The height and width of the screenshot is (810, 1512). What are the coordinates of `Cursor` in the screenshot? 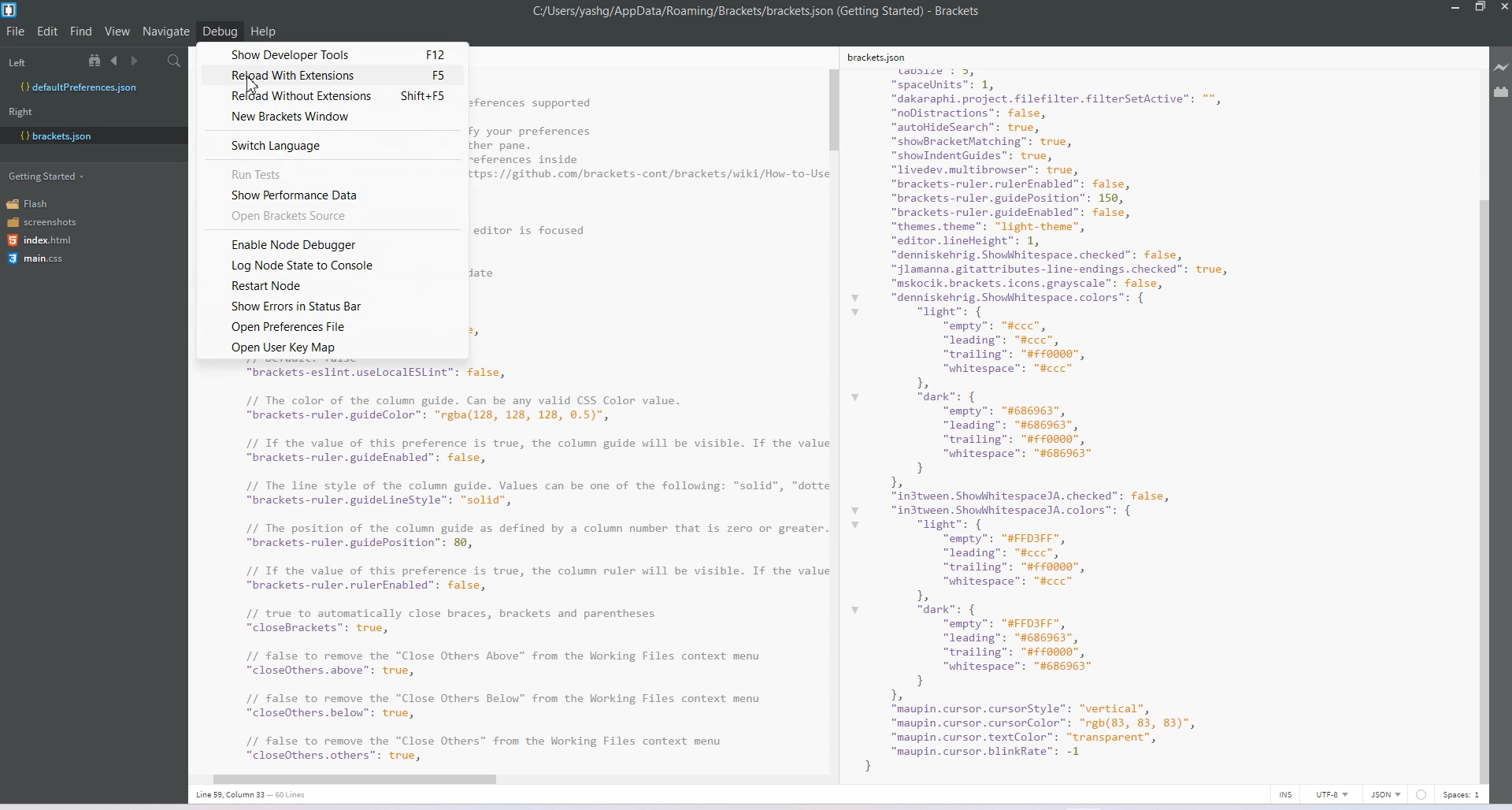 It's located at (259, 84).